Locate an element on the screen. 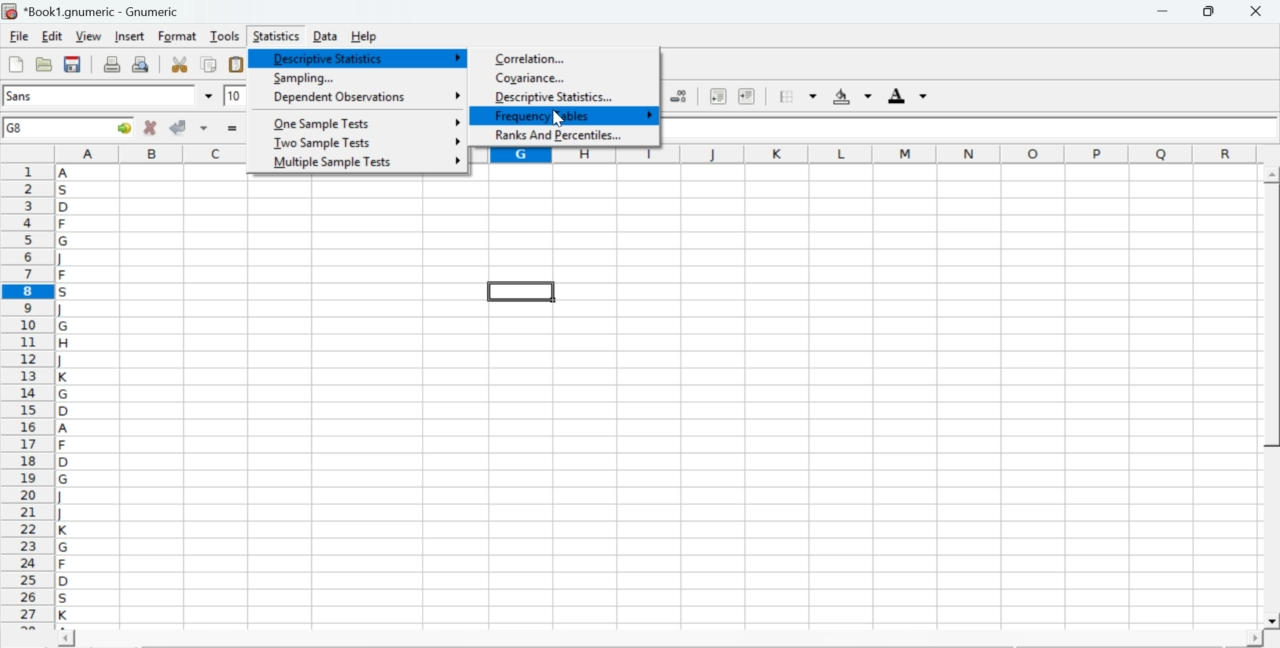 The width and height of the screenshot is (1280, 648). restore down is located at coordinates (1210, 12).